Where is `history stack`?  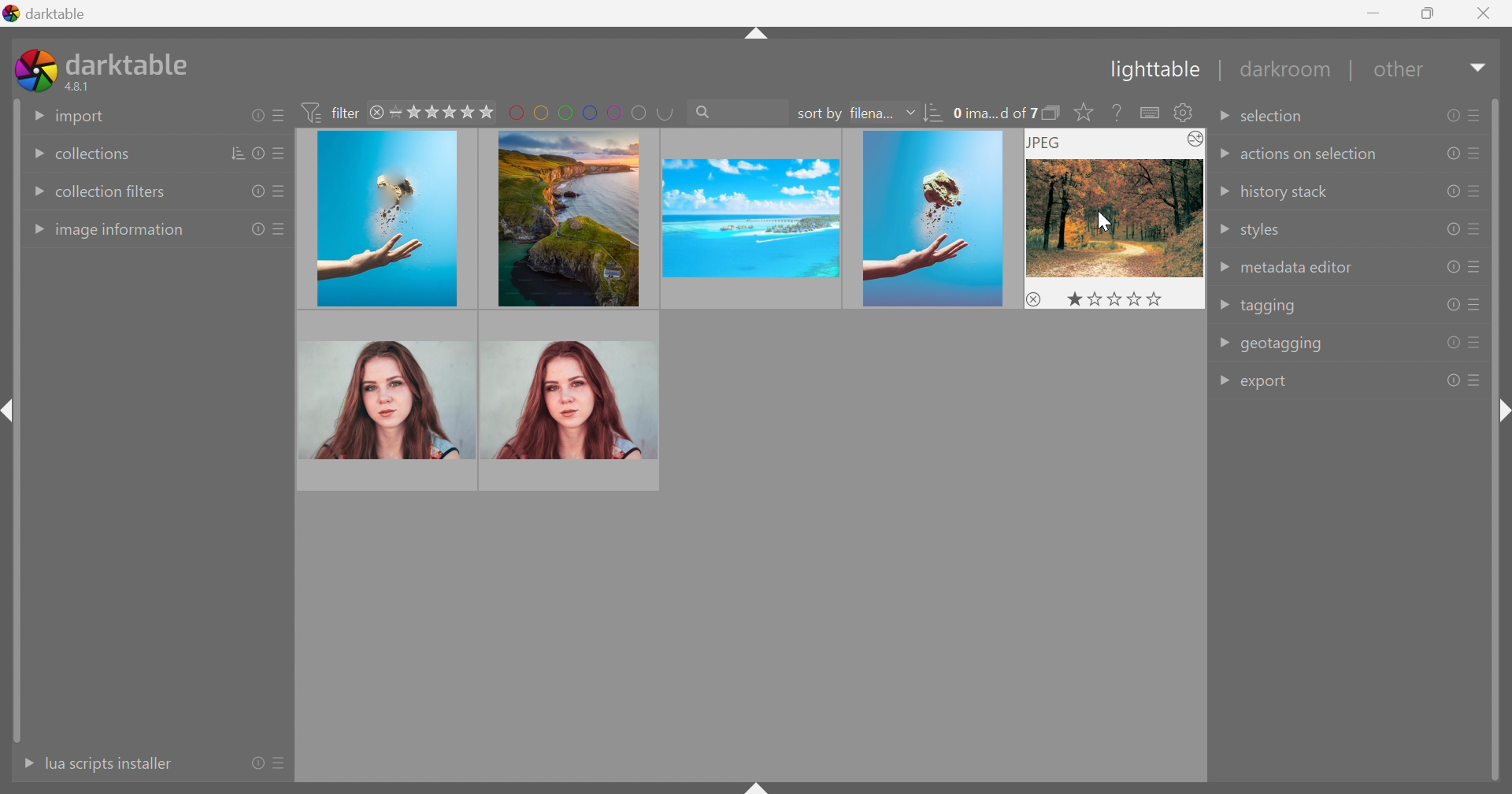
history stack is located at coordinates (1284, 193).